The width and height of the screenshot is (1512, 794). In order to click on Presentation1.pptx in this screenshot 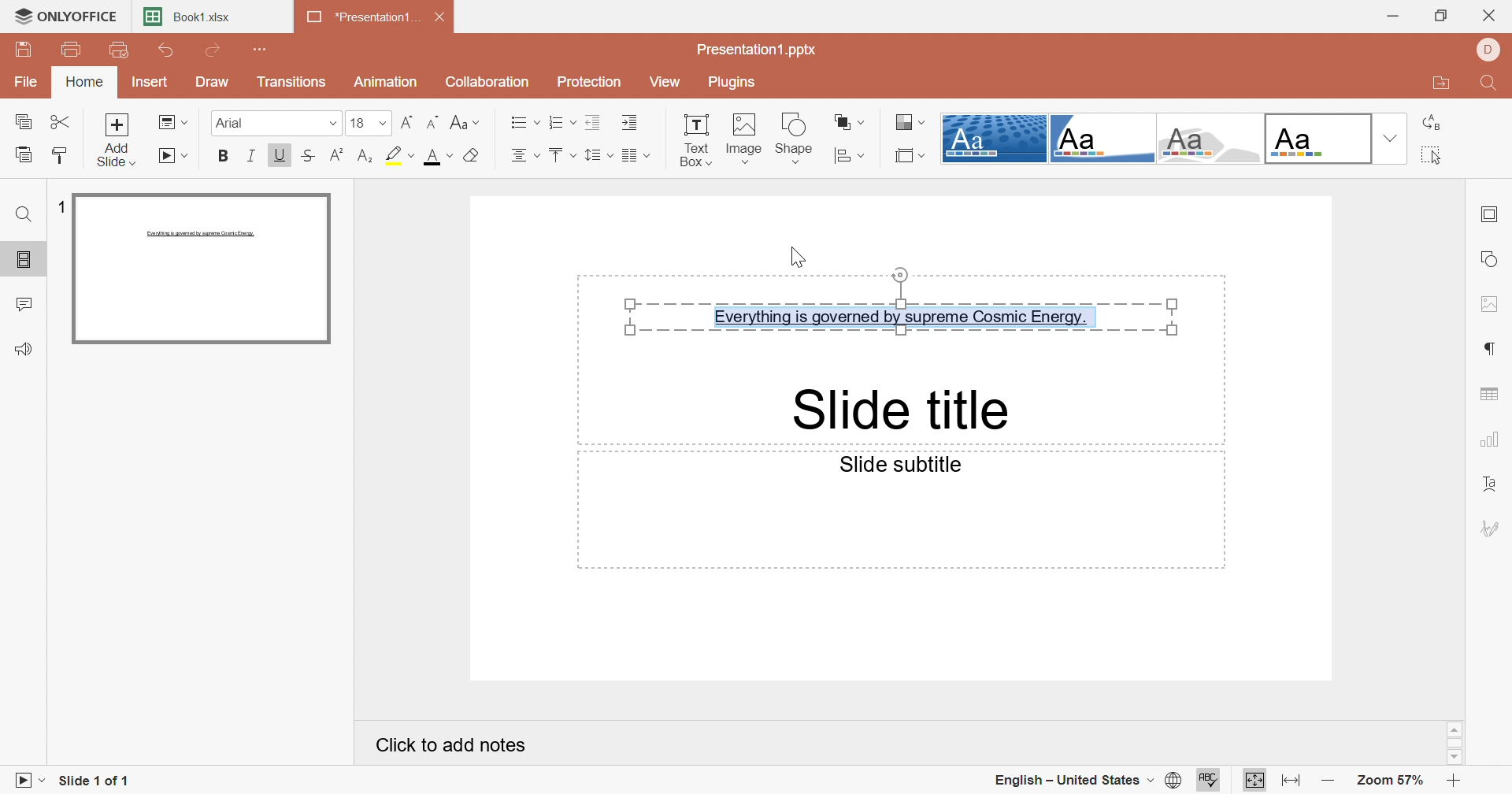, I will do `click(758, 49)`.